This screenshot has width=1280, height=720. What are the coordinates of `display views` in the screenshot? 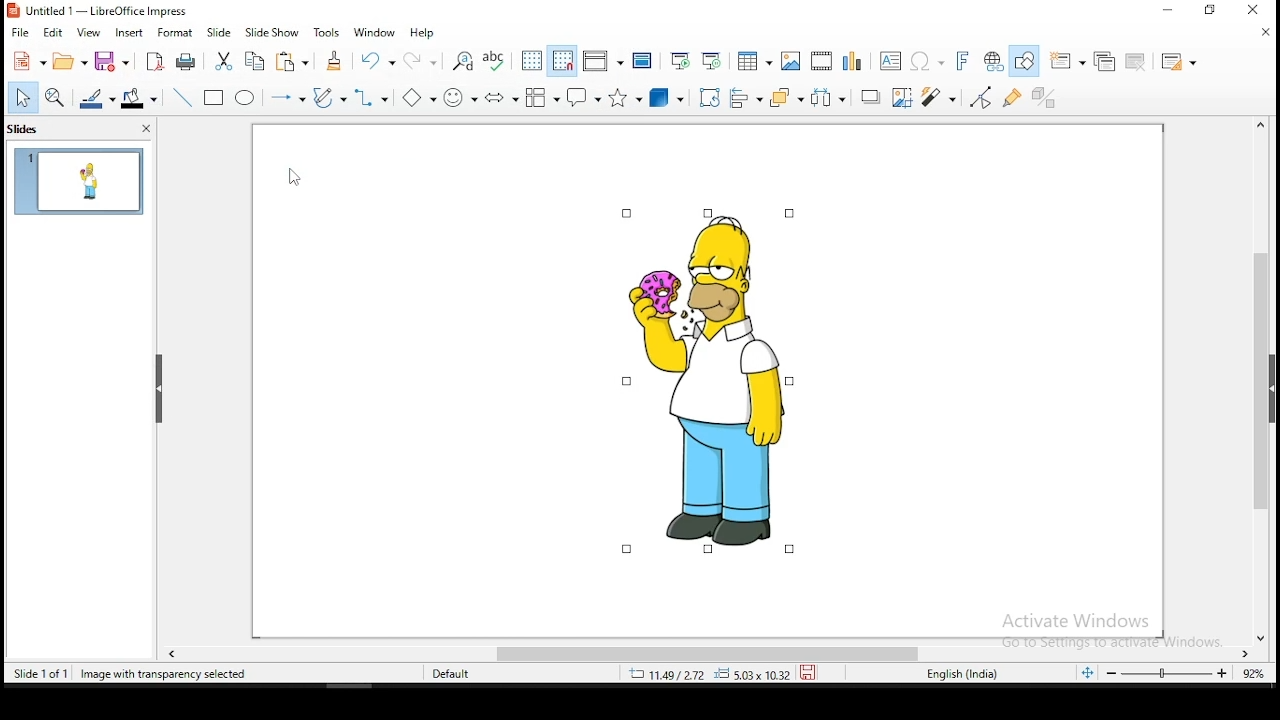 It's located at (604, 59).